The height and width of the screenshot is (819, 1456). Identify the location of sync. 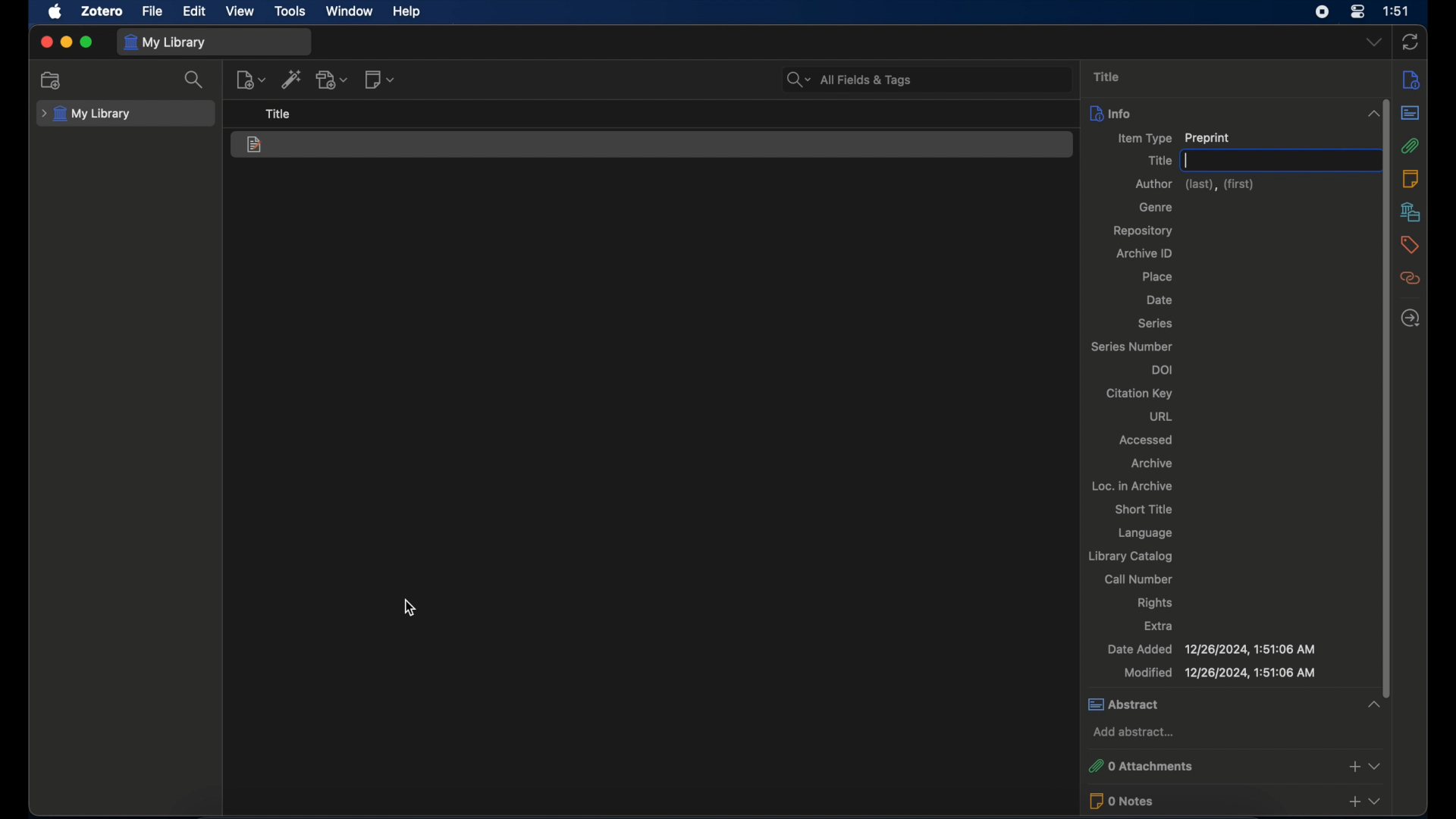
(1409, 42).